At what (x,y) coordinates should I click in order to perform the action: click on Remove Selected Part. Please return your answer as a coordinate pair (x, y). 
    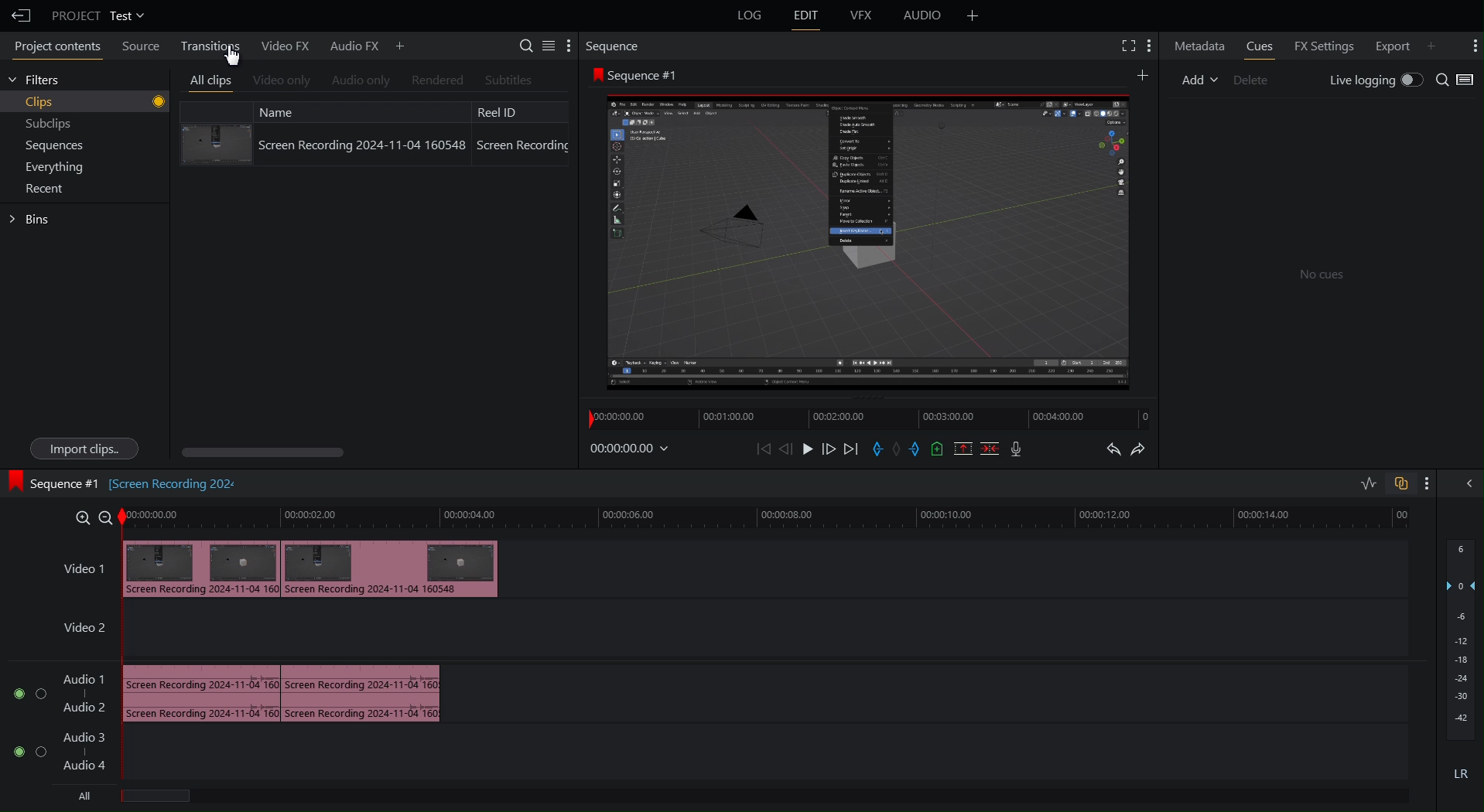
    Looking at the image, I should click on (962, 448).